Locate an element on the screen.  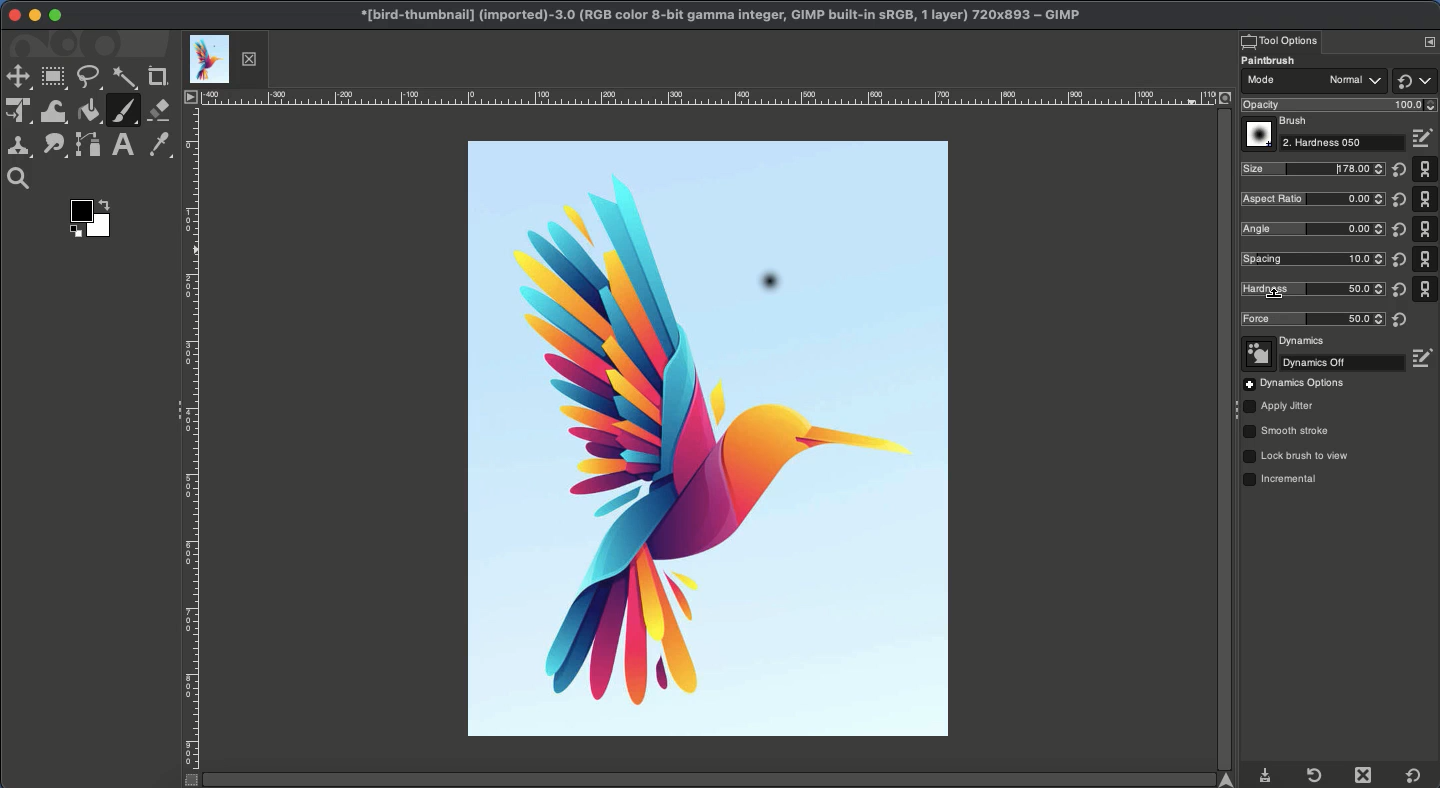
Fuzzy selector is located at coordinates (125, 79).